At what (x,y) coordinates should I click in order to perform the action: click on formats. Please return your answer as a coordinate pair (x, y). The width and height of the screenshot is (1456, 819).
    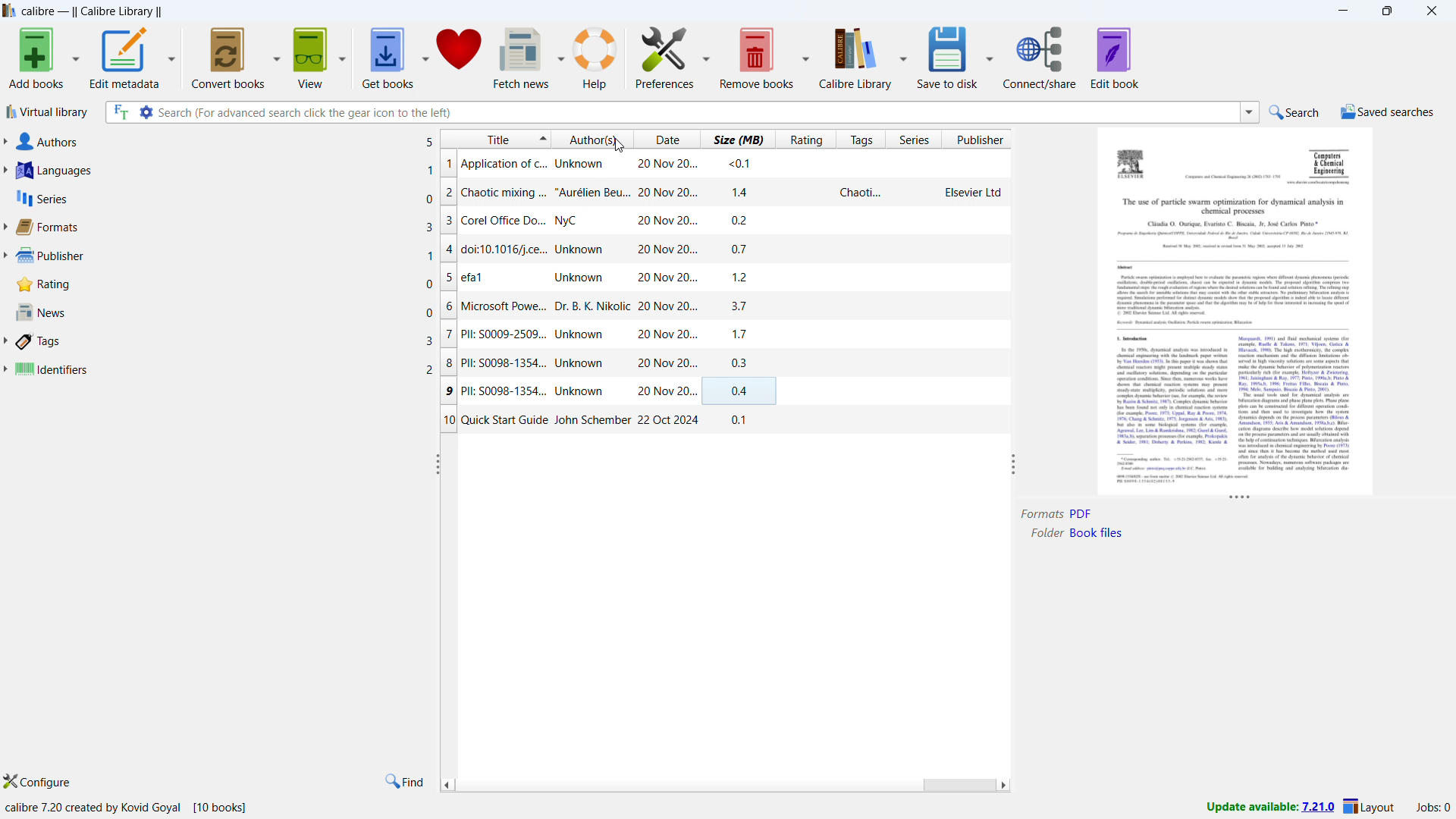
    Looking at the image, I should click on (224, 228).